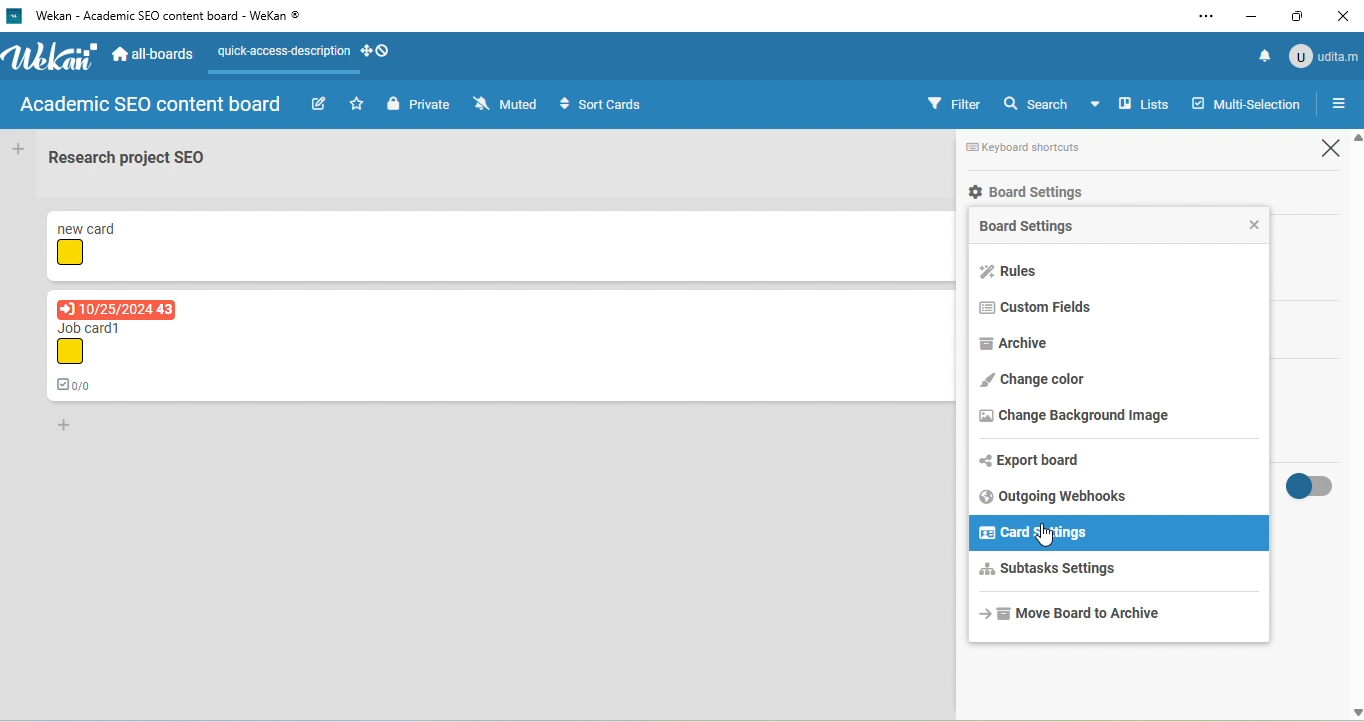 The image size is (1364, 722). I want to click on Research project SEO, so click(129, 157).